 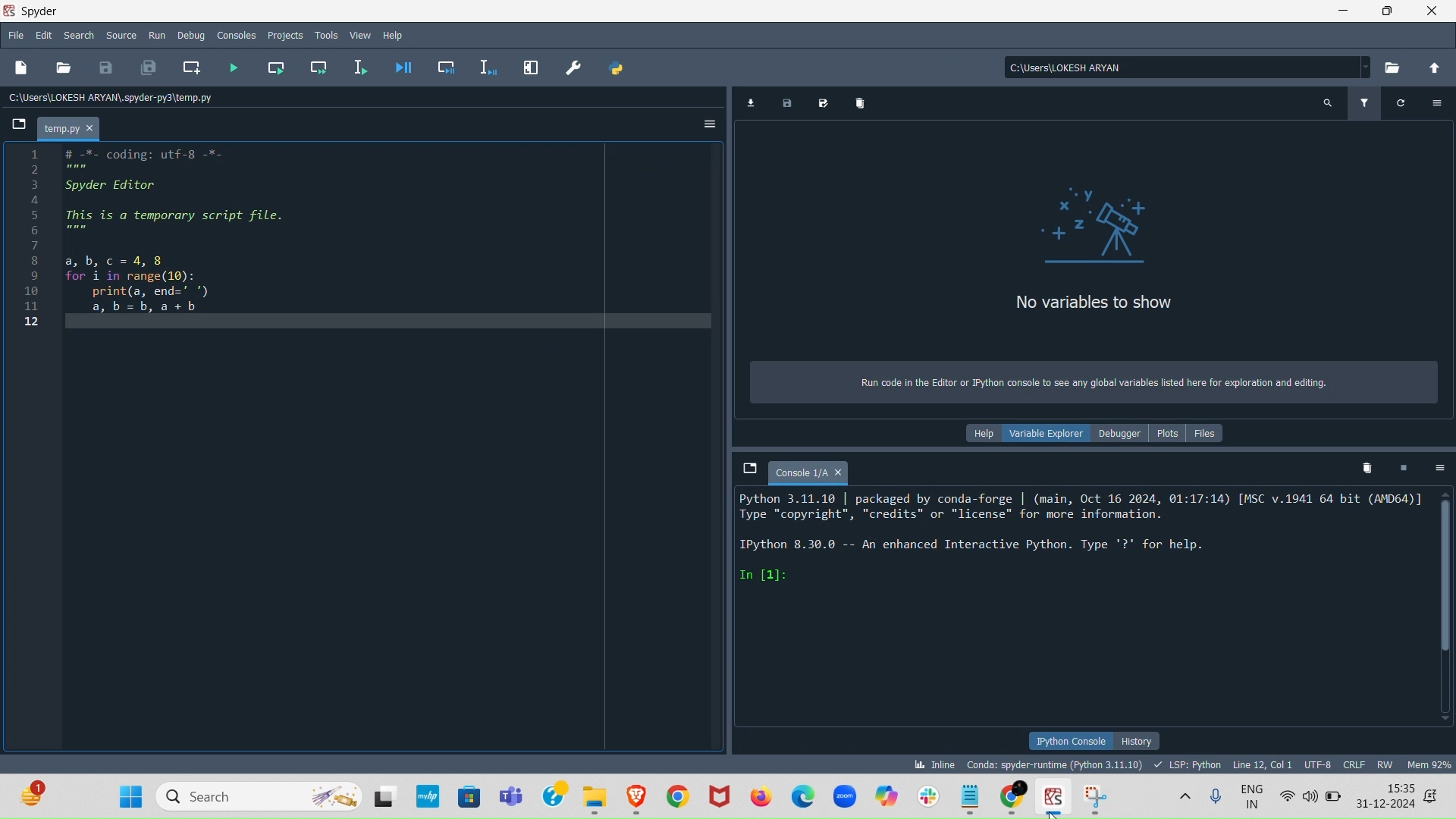 What do you see at coordinates (529, 66) in the screenshot?
I see `Maximize current pane (Ctrl + Alt + Shift + M)` at bounding box center [529, 66].